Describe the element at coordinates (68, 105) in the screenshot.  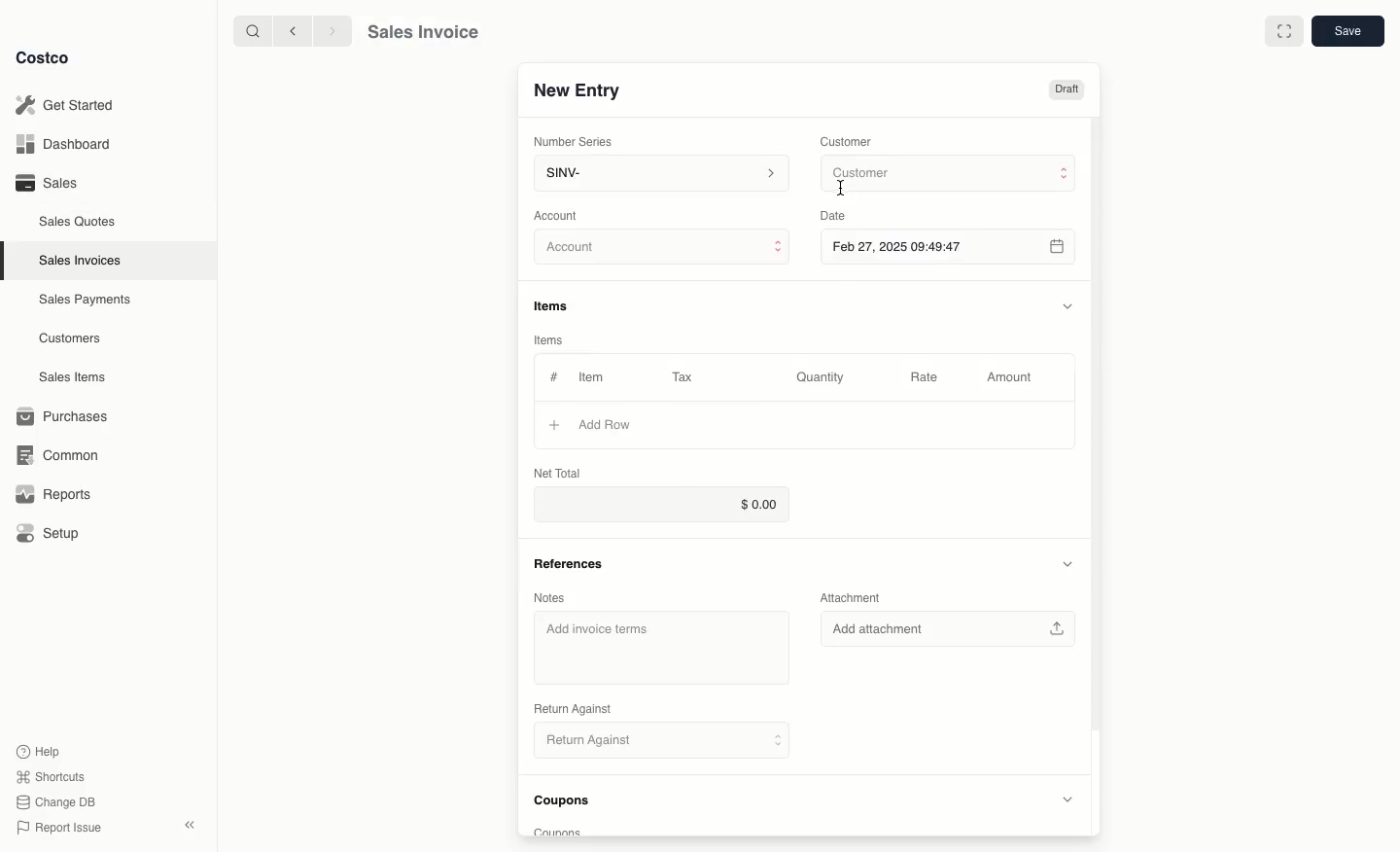
I see `Get Started` at that location.